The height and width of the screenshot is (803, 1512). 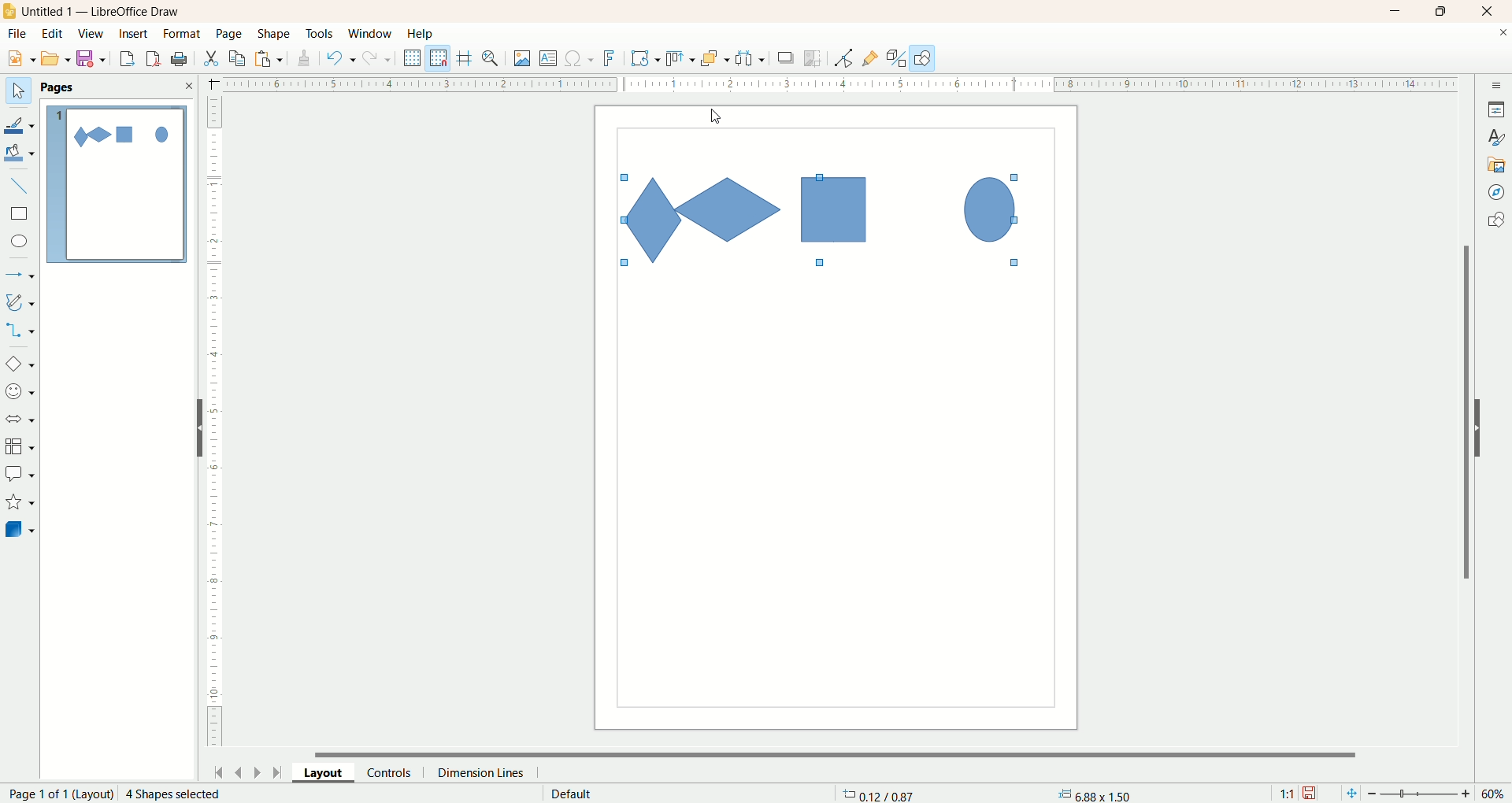 I want to click on vertical scroll bar, so click(x=1463, y=412).